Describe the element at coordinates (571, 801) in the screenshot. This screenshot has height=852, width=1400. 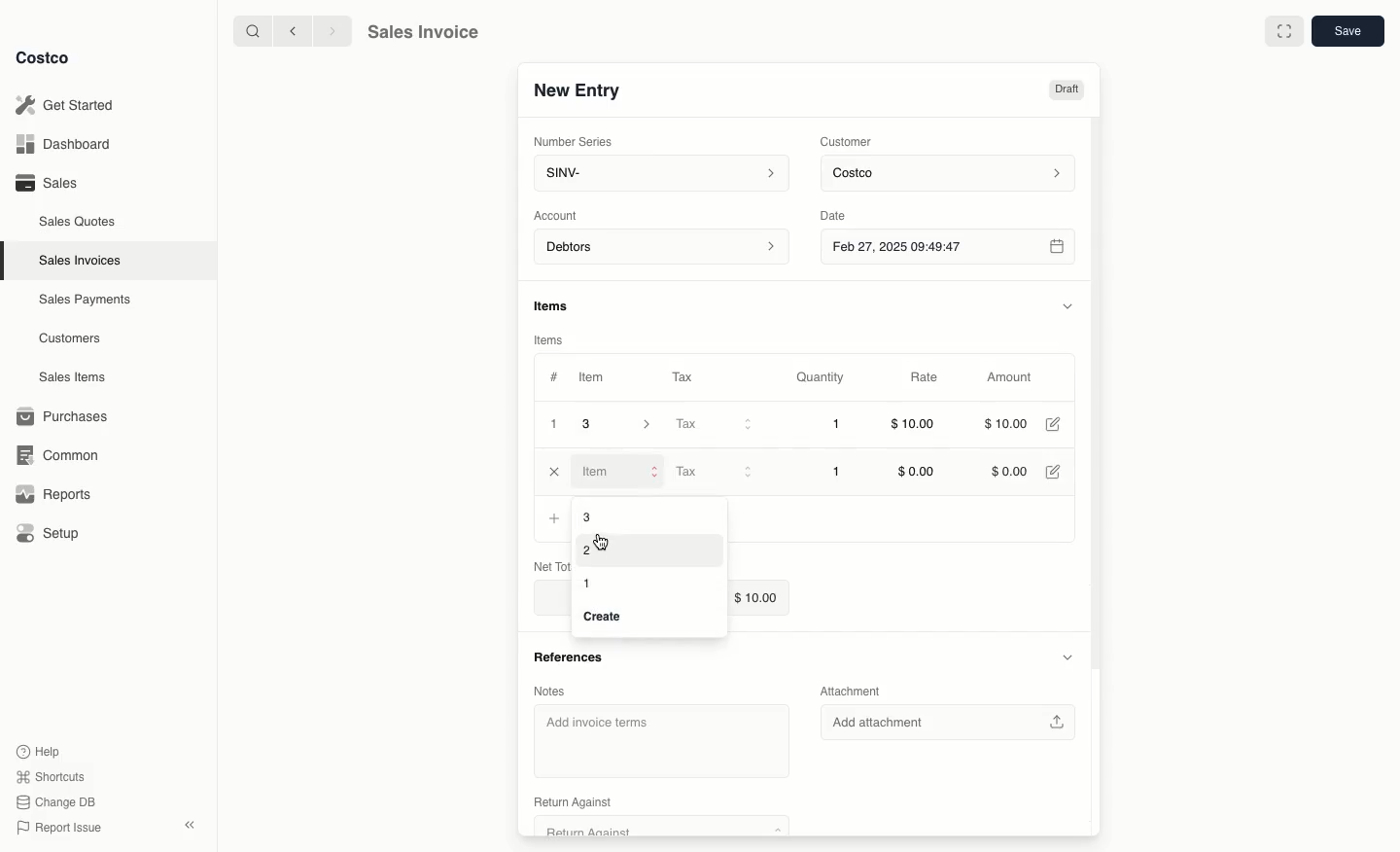
I see `‘Return Against` at that location.